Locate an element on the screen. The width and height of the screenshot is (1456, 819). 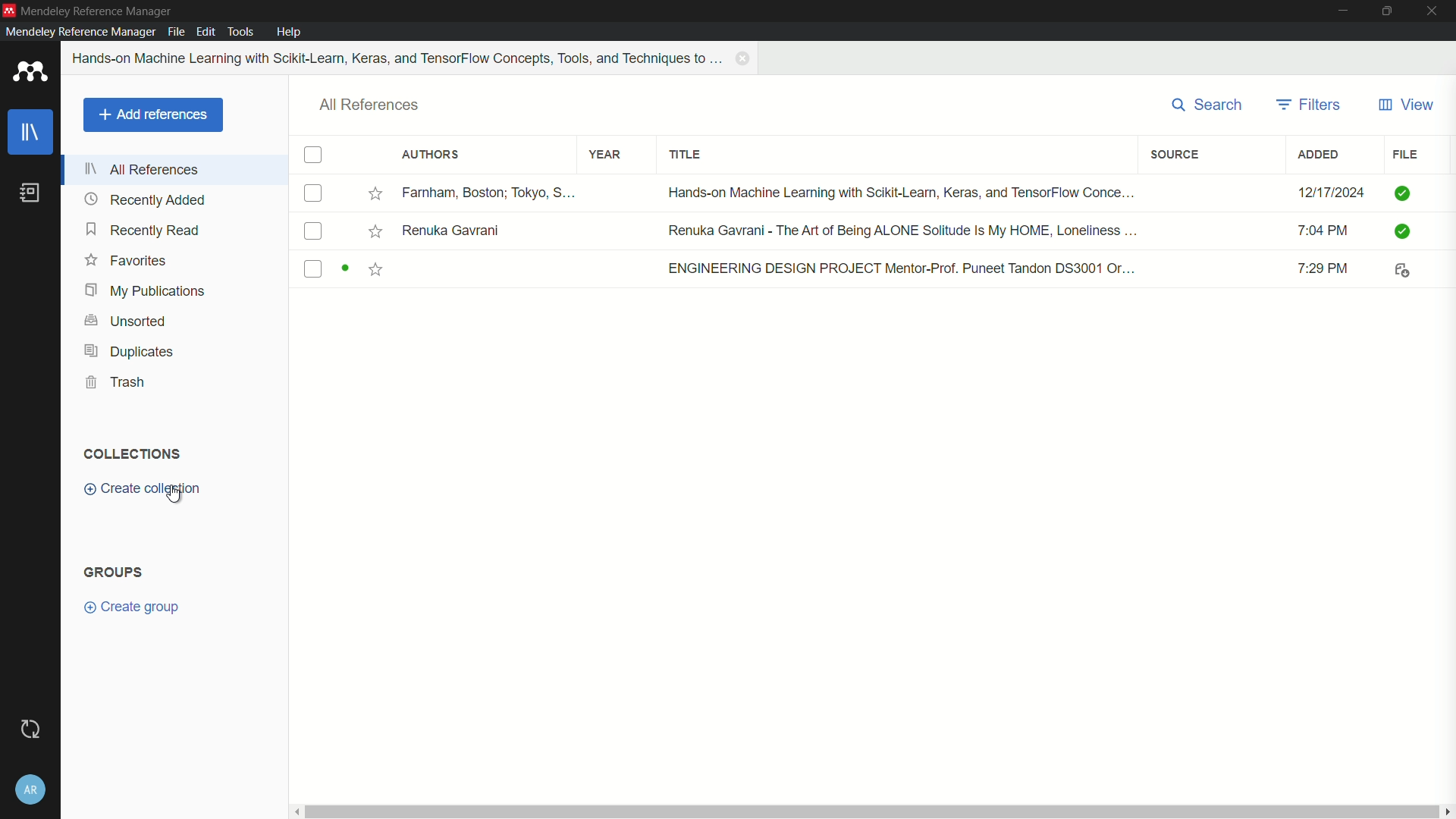
create collection is located at coordinates (143, 492).